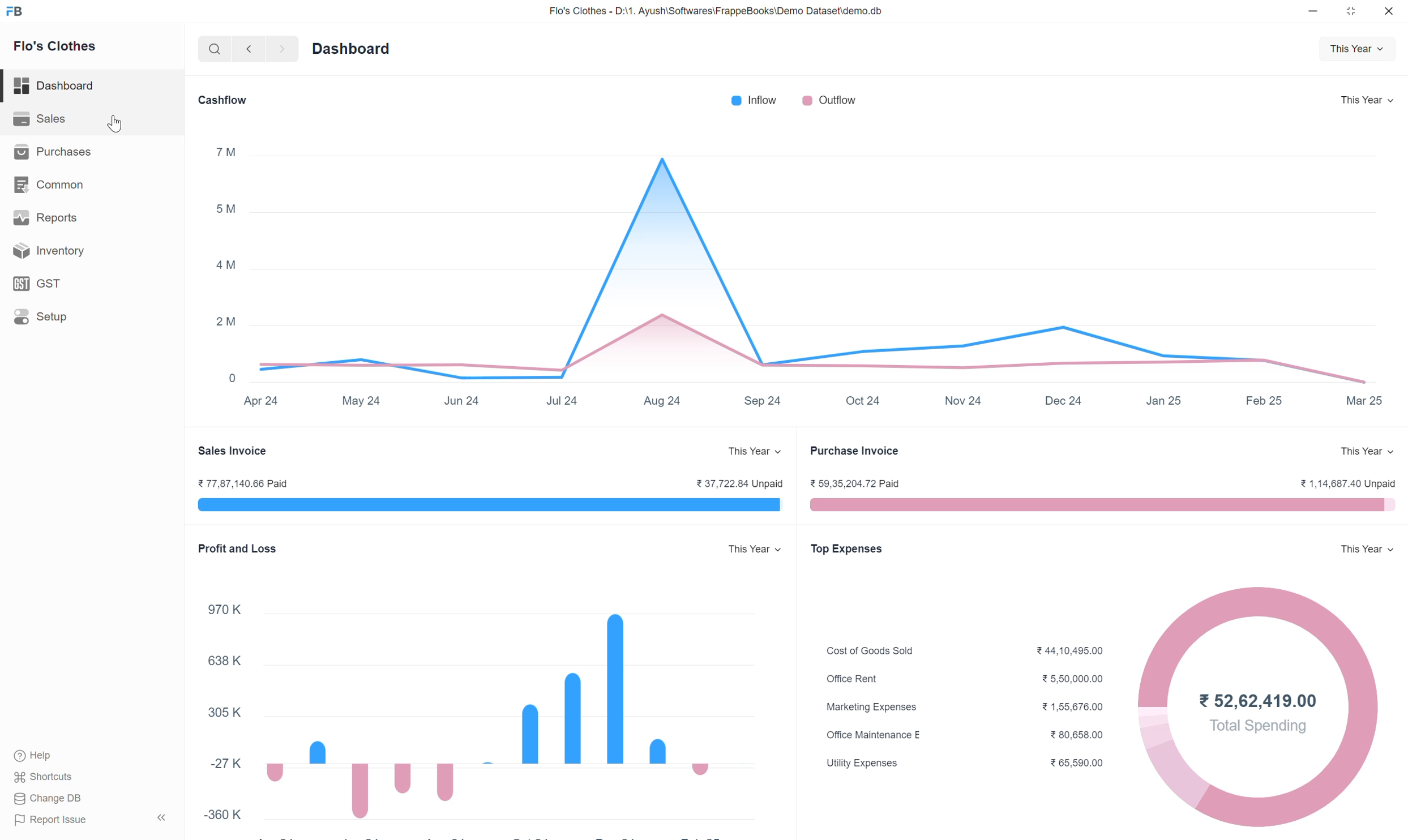  Describe the element at coordinates (1076, 735) in the screenshot. I see `¥ 80,658.00` at that location.